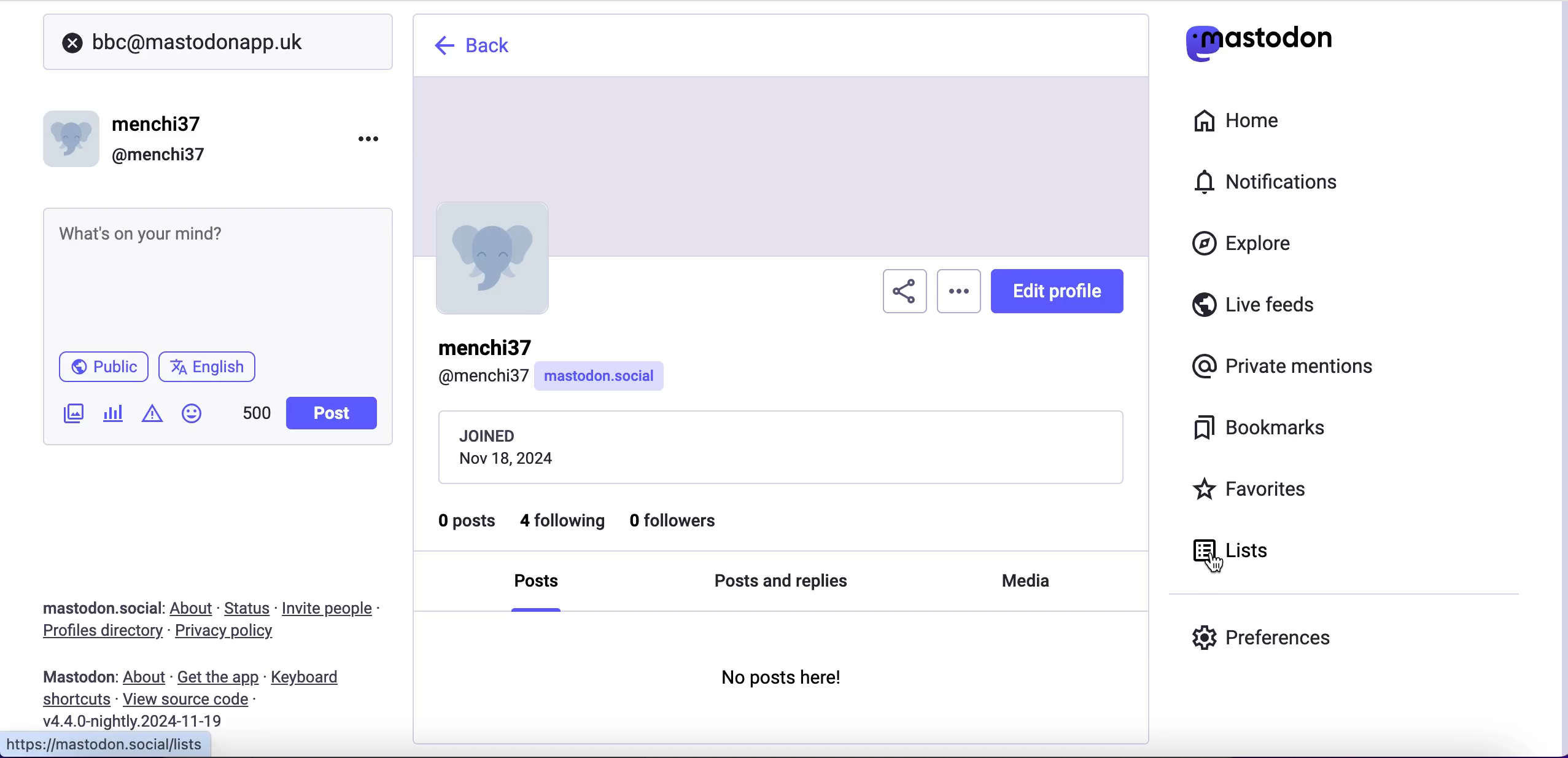  What do you see at coordinates (197, 420) in the screenshot?
I see `emojis` at bounding box center [197, 420].